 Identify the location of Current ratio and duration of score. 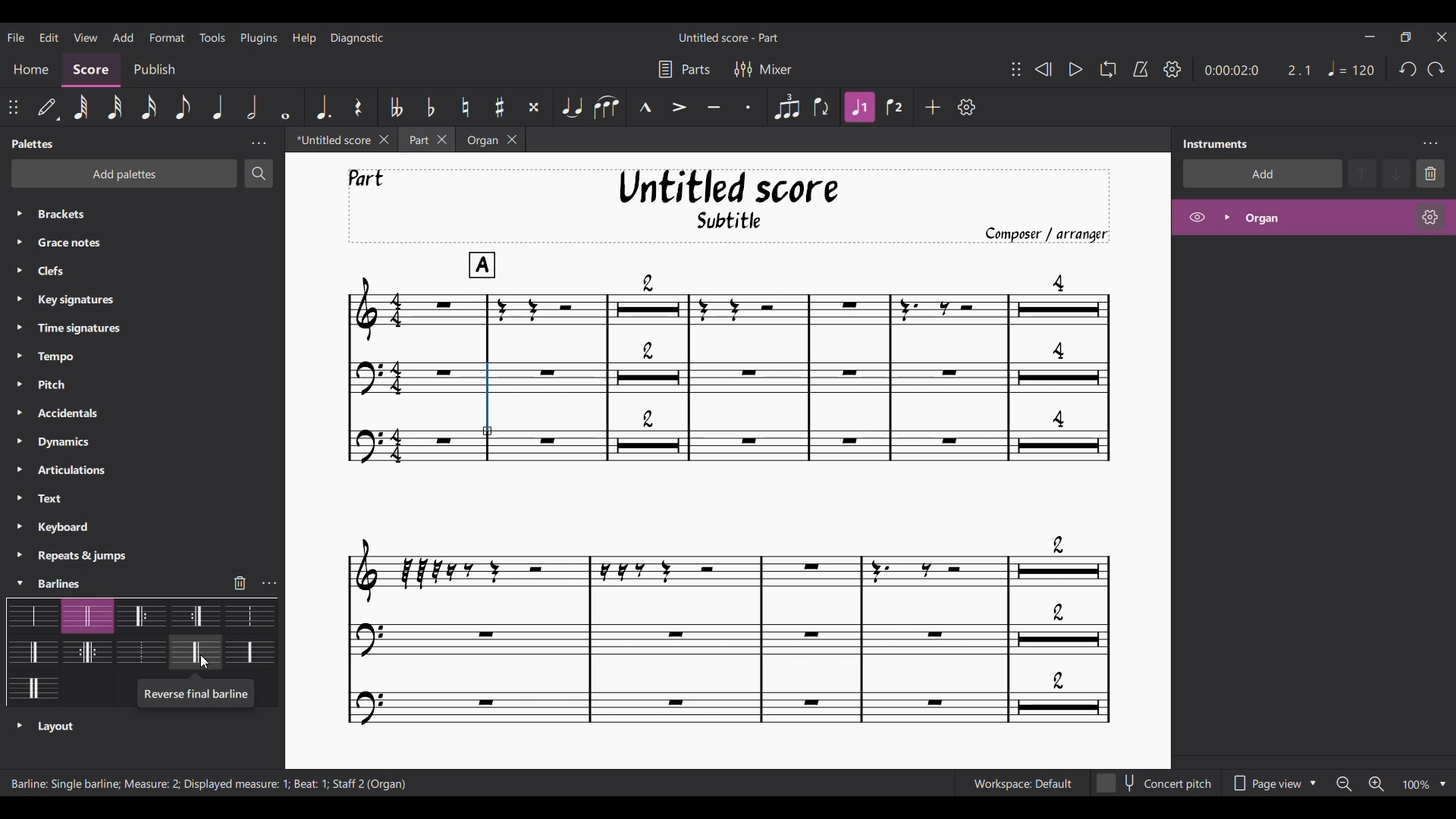
(1258, 70).